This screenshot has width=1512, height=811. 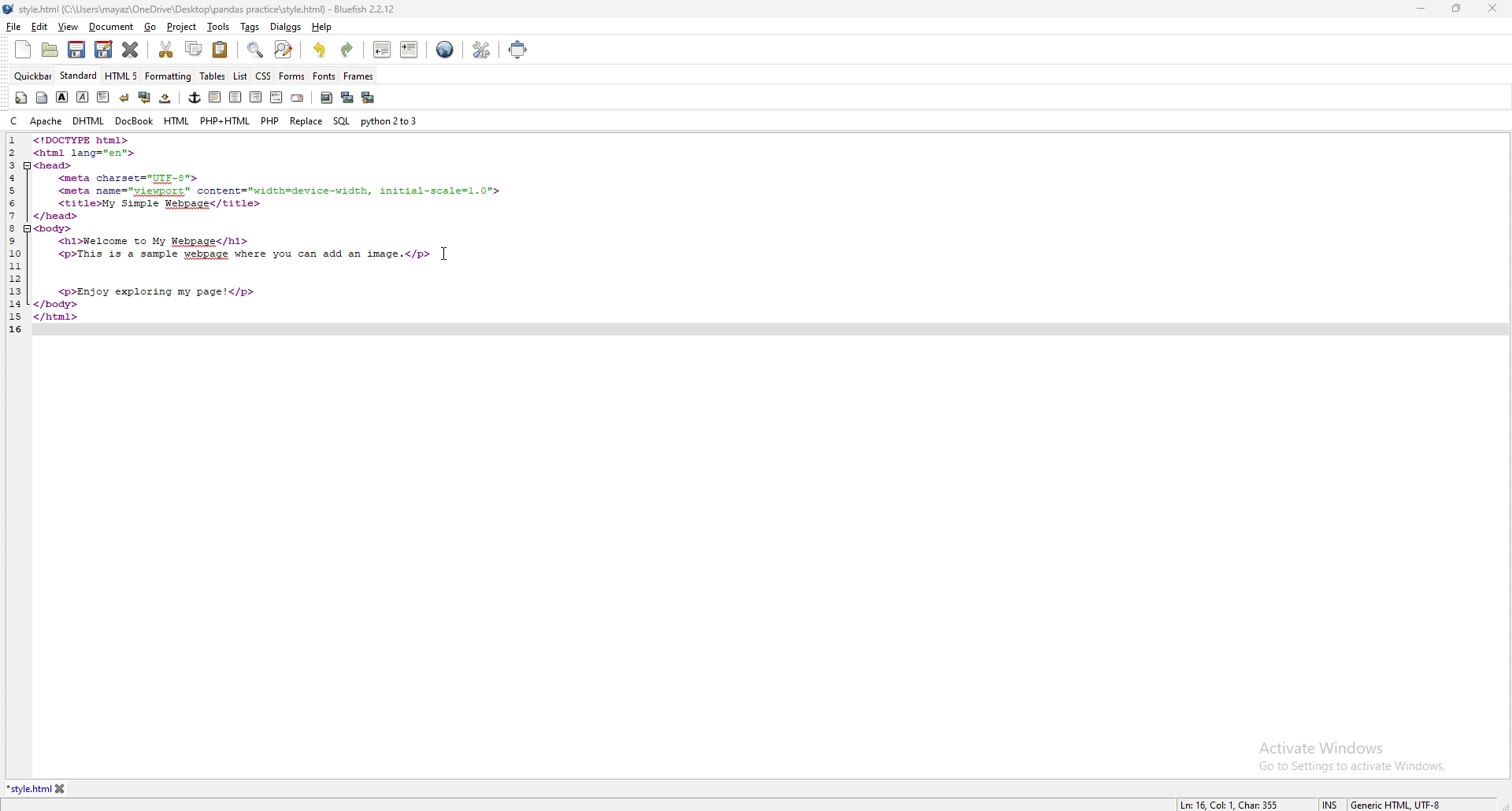 I want to click on INS, so click(x=1334, y=804).